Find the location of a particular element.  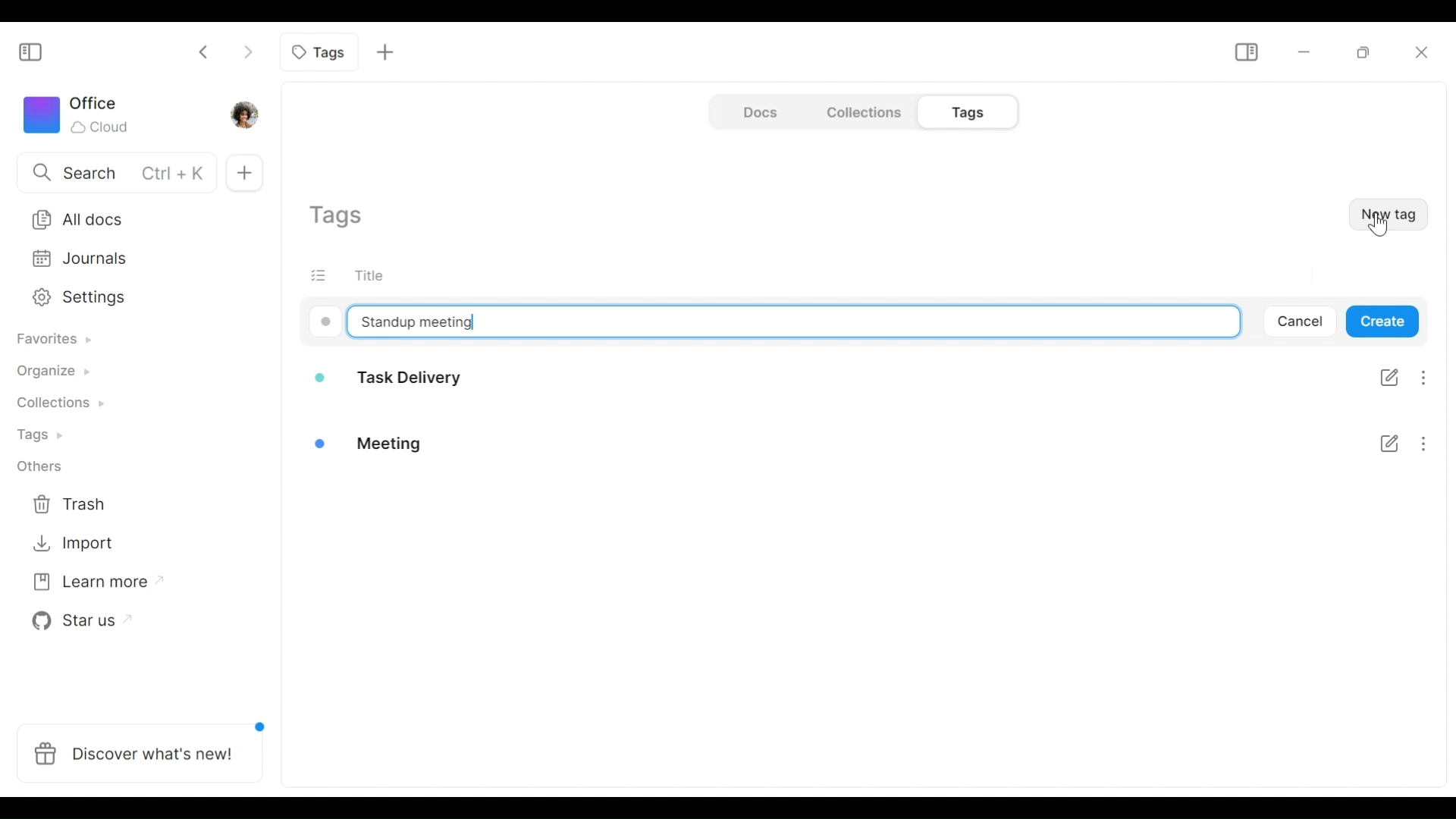

Document is located at coordinates (758, 112).